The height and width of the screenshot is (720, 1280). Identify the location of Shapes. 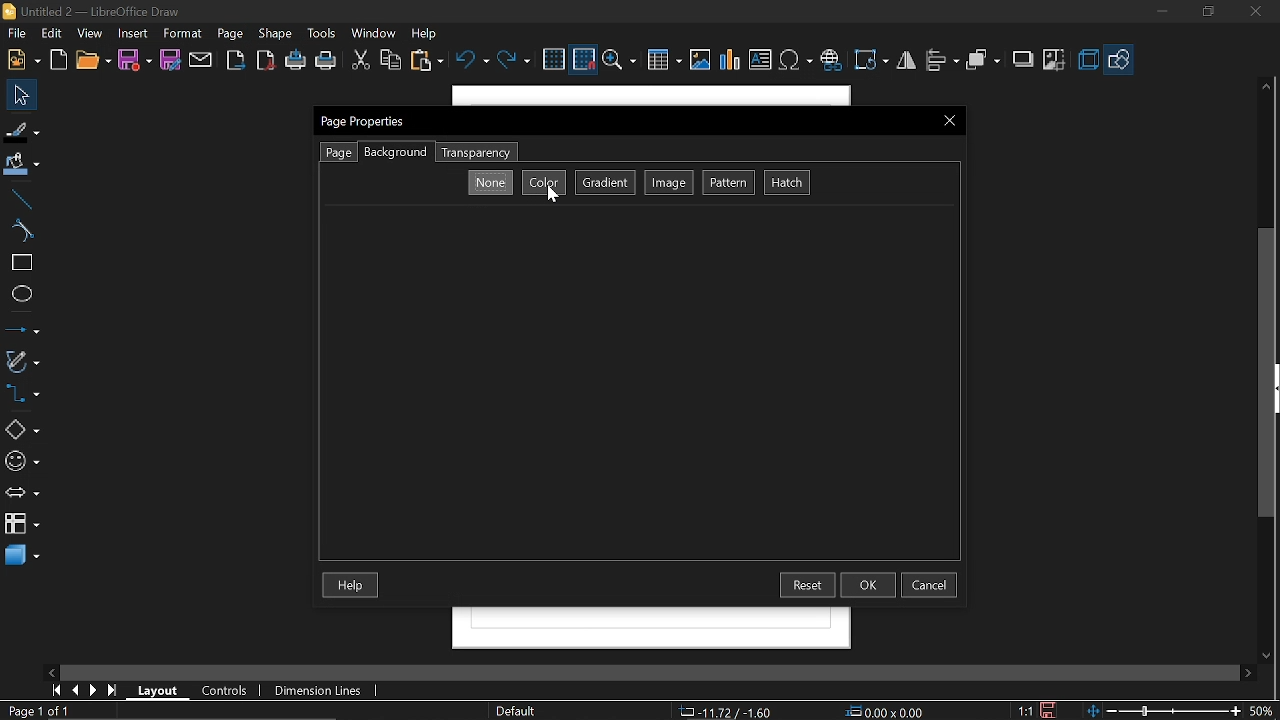
(22, 428).